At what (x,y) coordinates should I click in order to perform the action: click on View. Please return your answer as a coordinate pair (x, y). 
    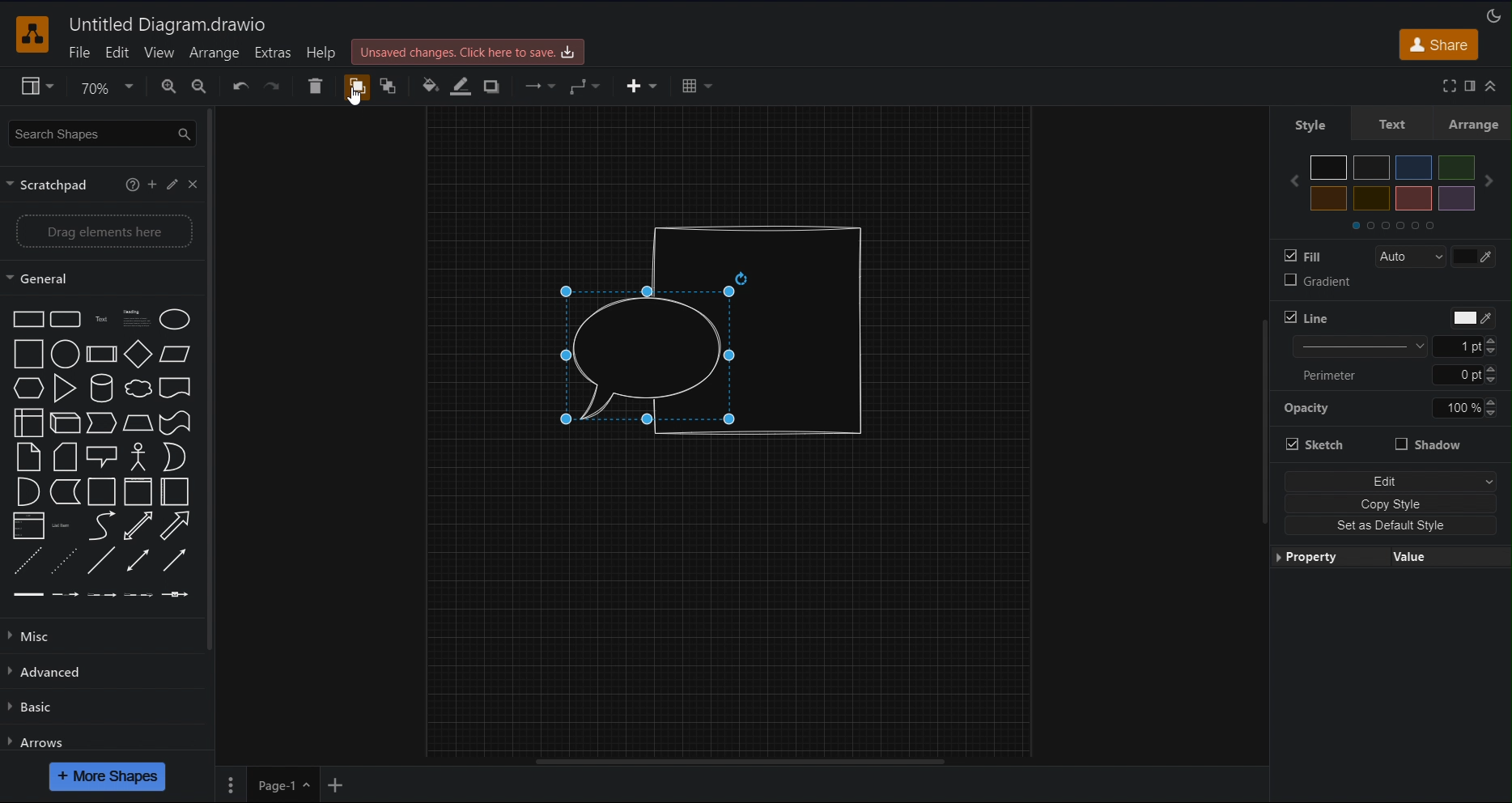
    Looking at the image, I should click on (160, 53).